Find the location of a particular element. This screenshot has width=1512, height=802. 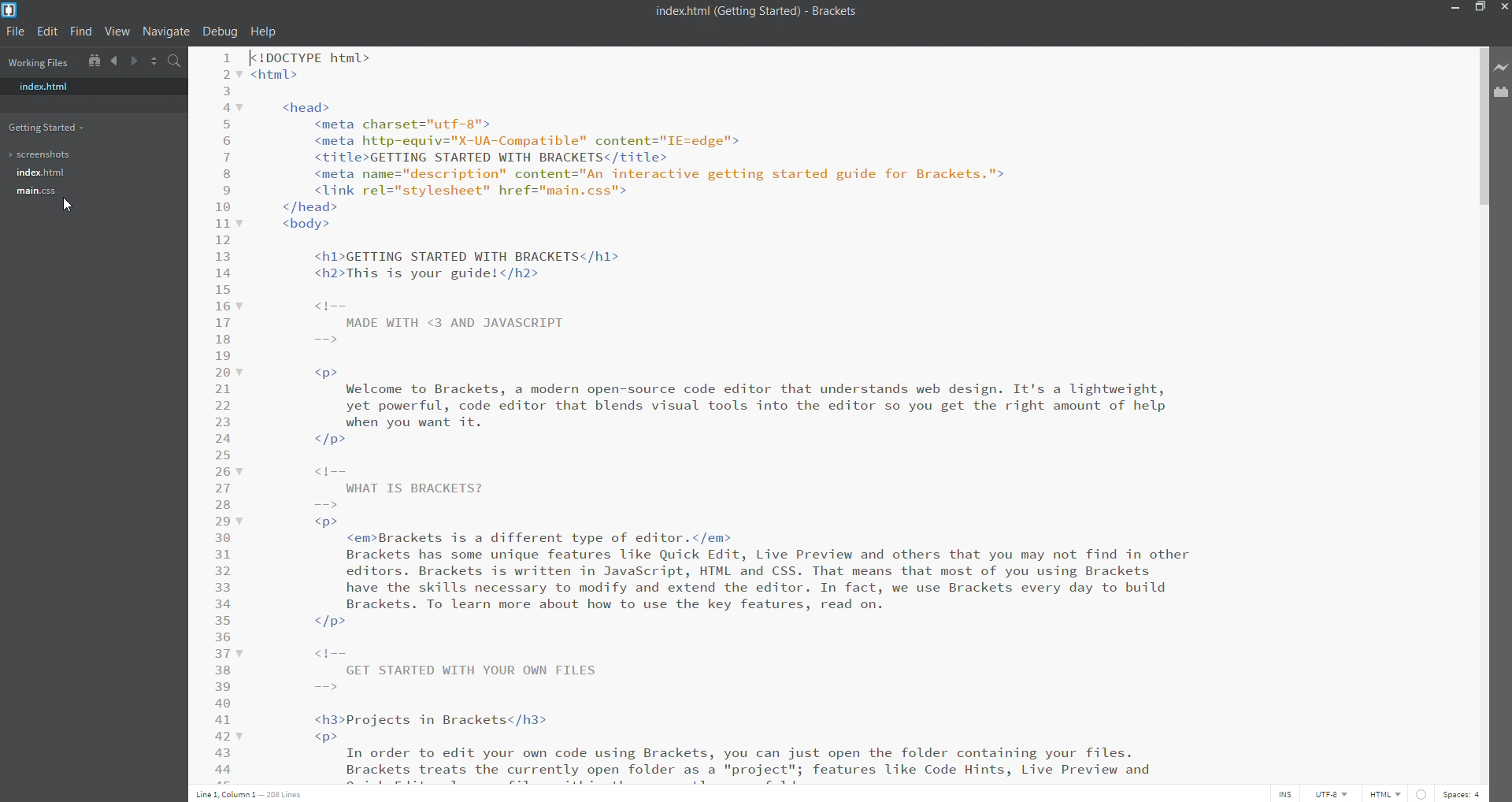

spaces: 4 is located at coordinates (1465, 794).